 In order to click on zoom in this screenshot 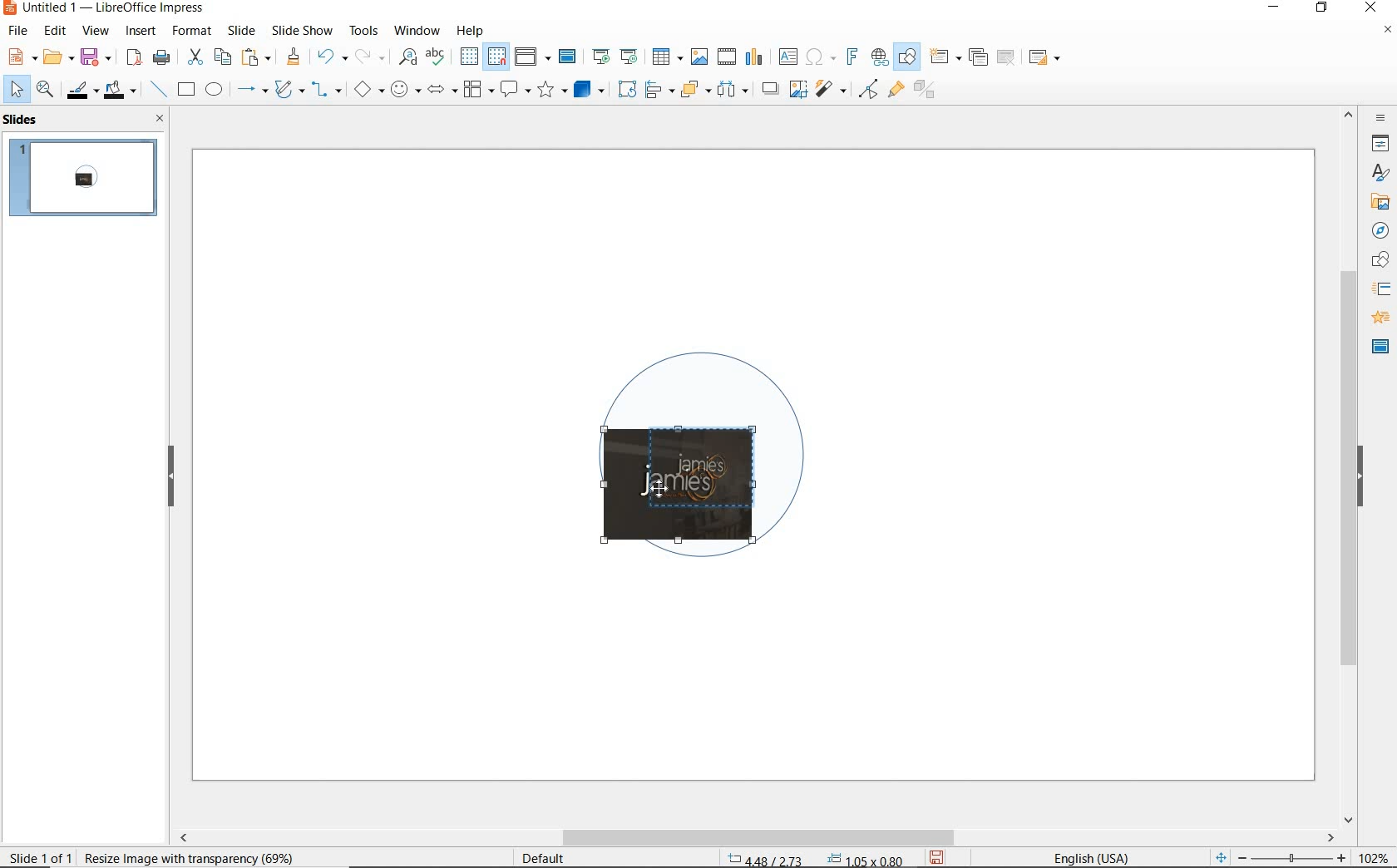, I will do `click(1296, 858)`.